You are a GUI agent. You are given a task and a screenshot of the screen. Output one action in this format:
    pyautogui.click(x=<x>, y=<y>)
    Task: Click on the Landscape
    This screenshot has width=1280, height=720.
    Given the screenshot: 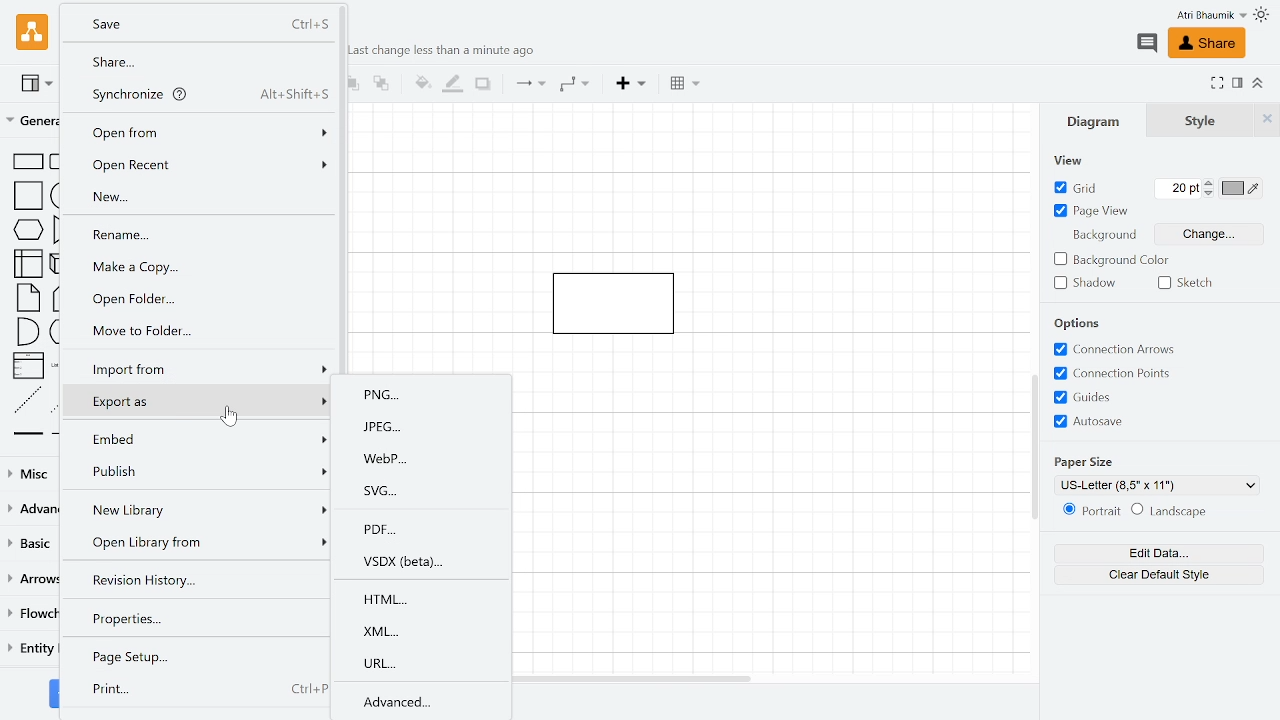 What is the action you would take?
    pyautogui.click(x=1180, y=510)
    